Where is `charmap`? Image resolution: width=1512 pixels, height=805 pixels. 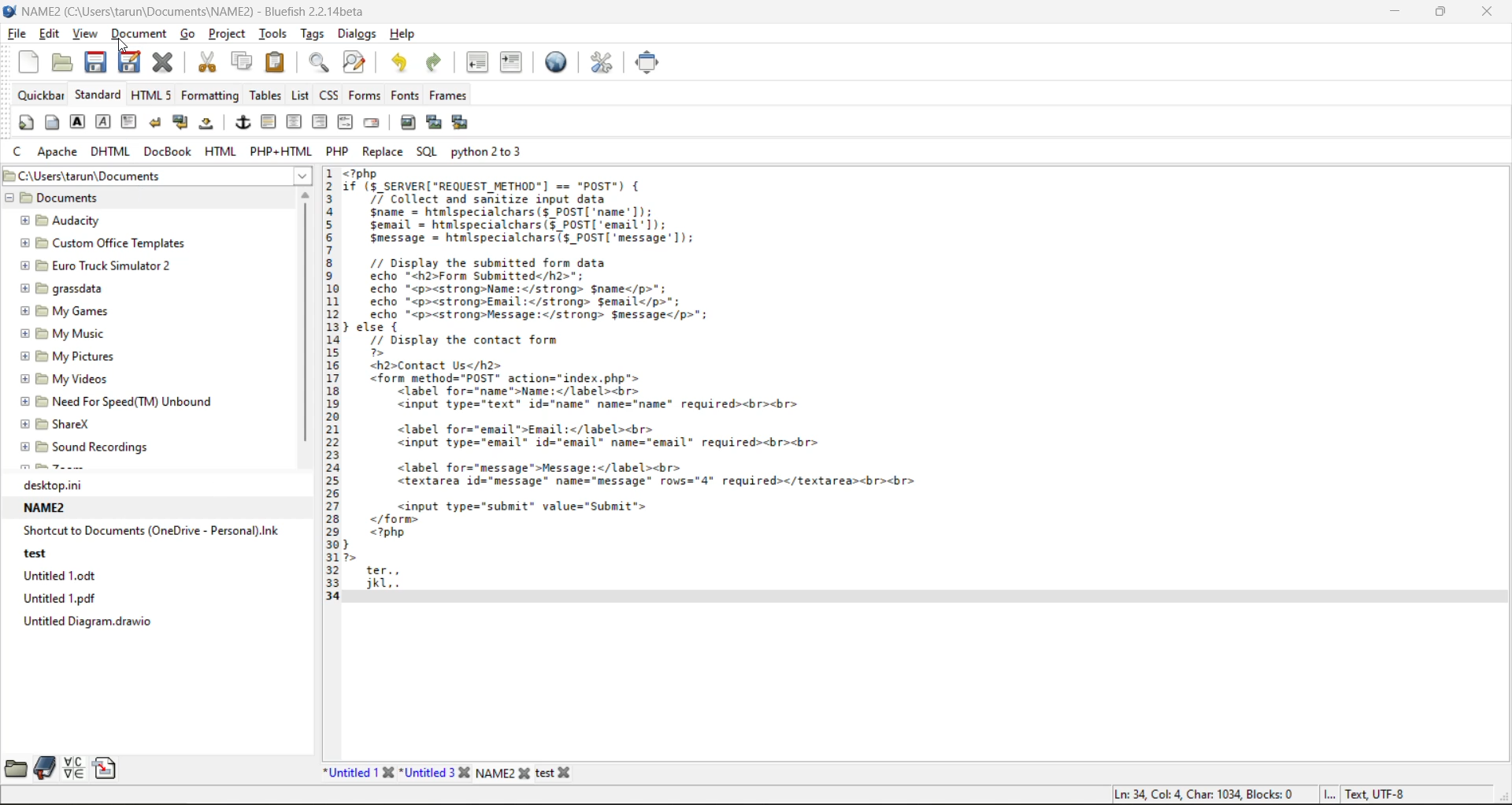 charmap is located at coordinates (73, 769).